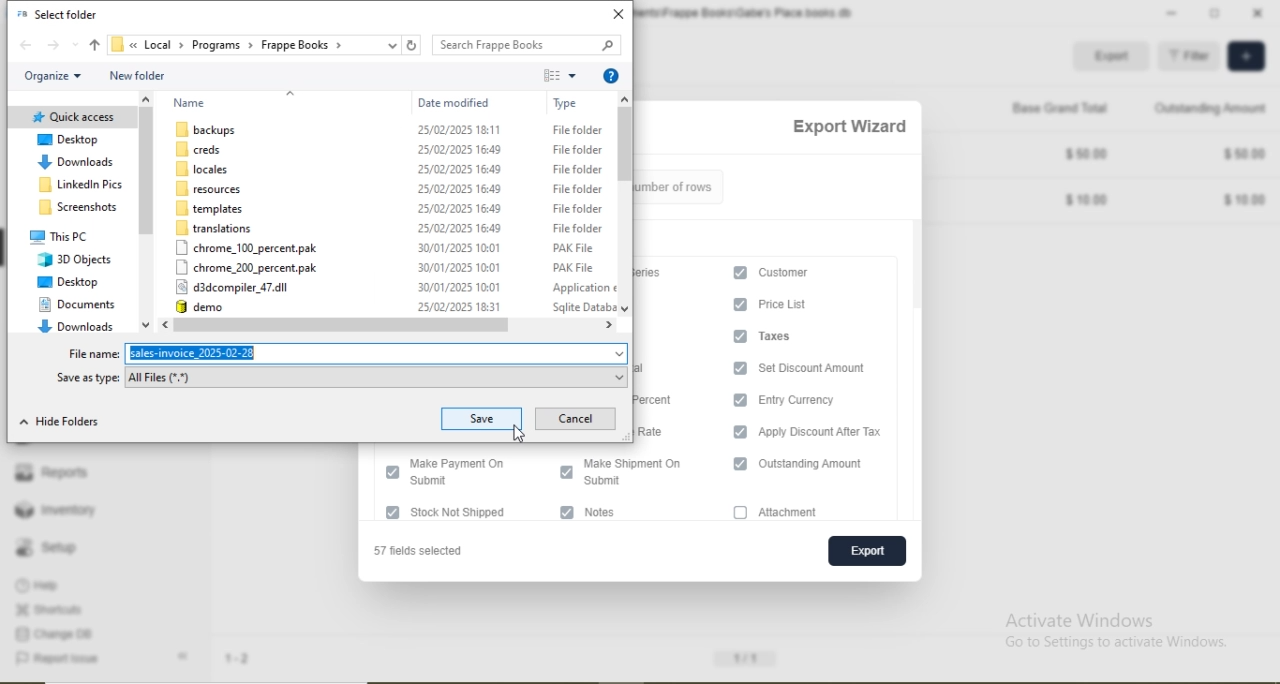 Image resolution: width=1280 pixels, height=684 pixels. I want to click on sales-invoice 2025-02- 280, so click(201, 353).